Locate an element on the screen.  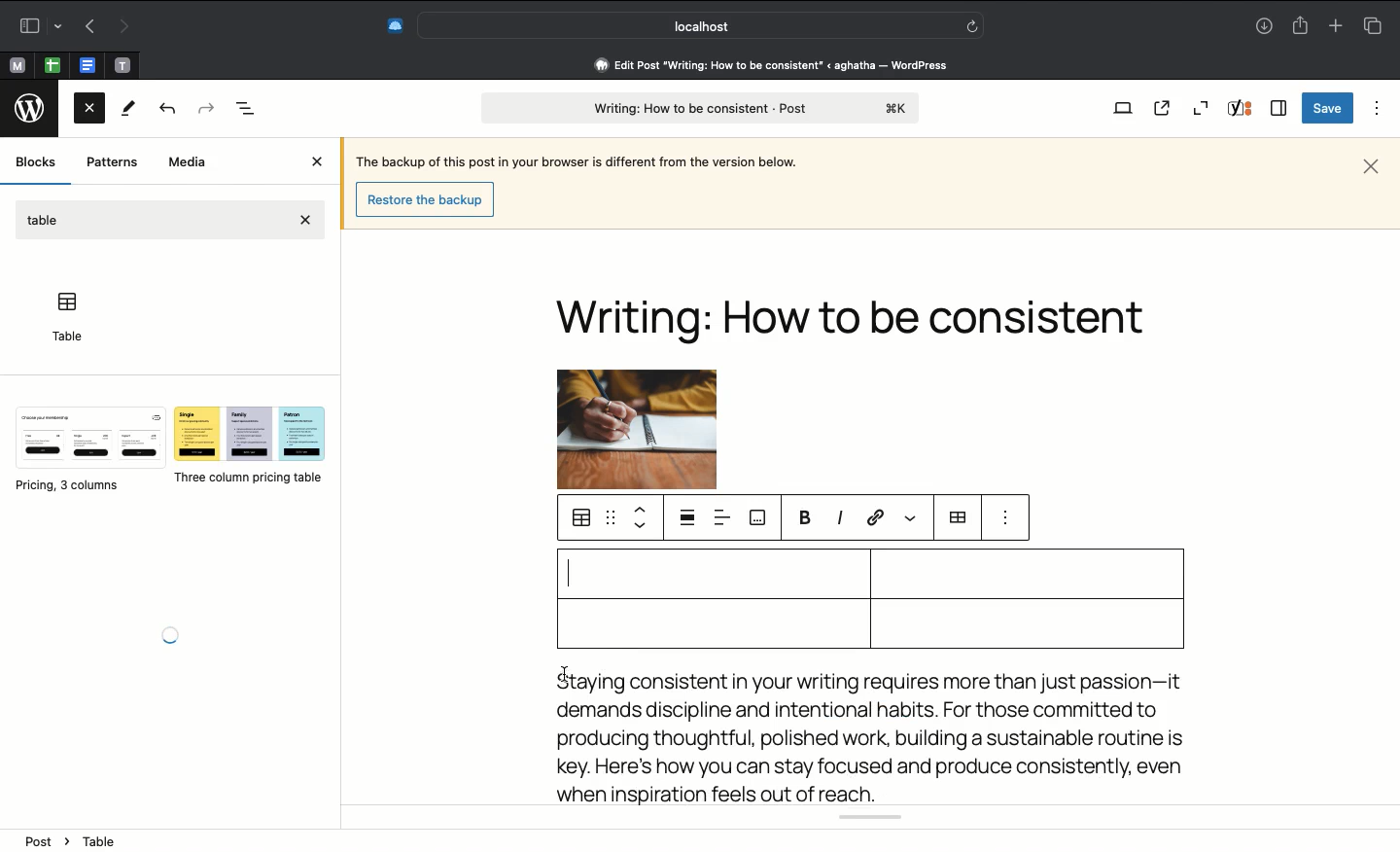
Zoom out is located at coordinates (1204, 106).